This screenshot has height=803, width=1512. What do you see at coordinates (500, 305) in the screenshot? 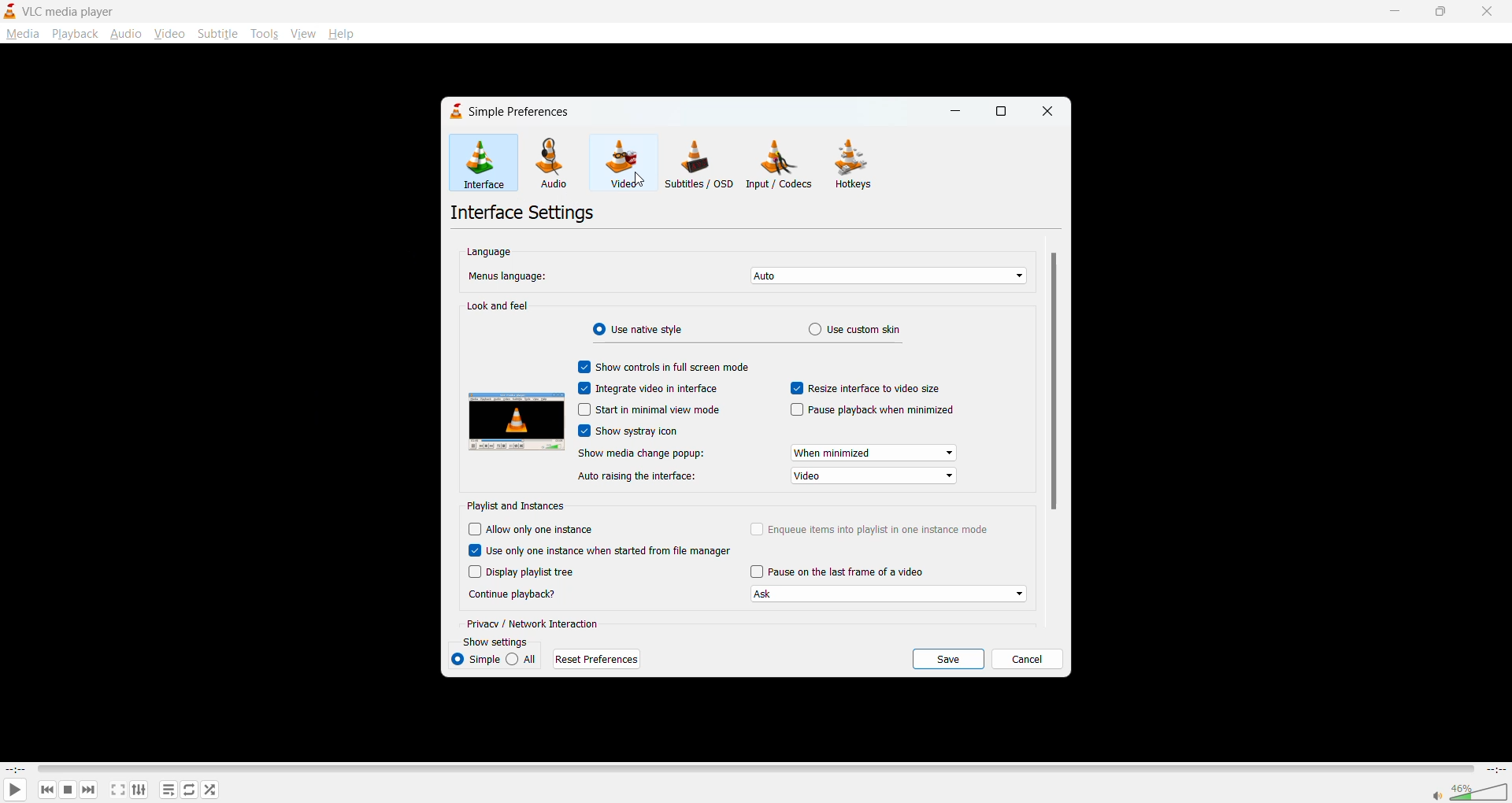
I see `look and feel` at bounding box center [500, 305].